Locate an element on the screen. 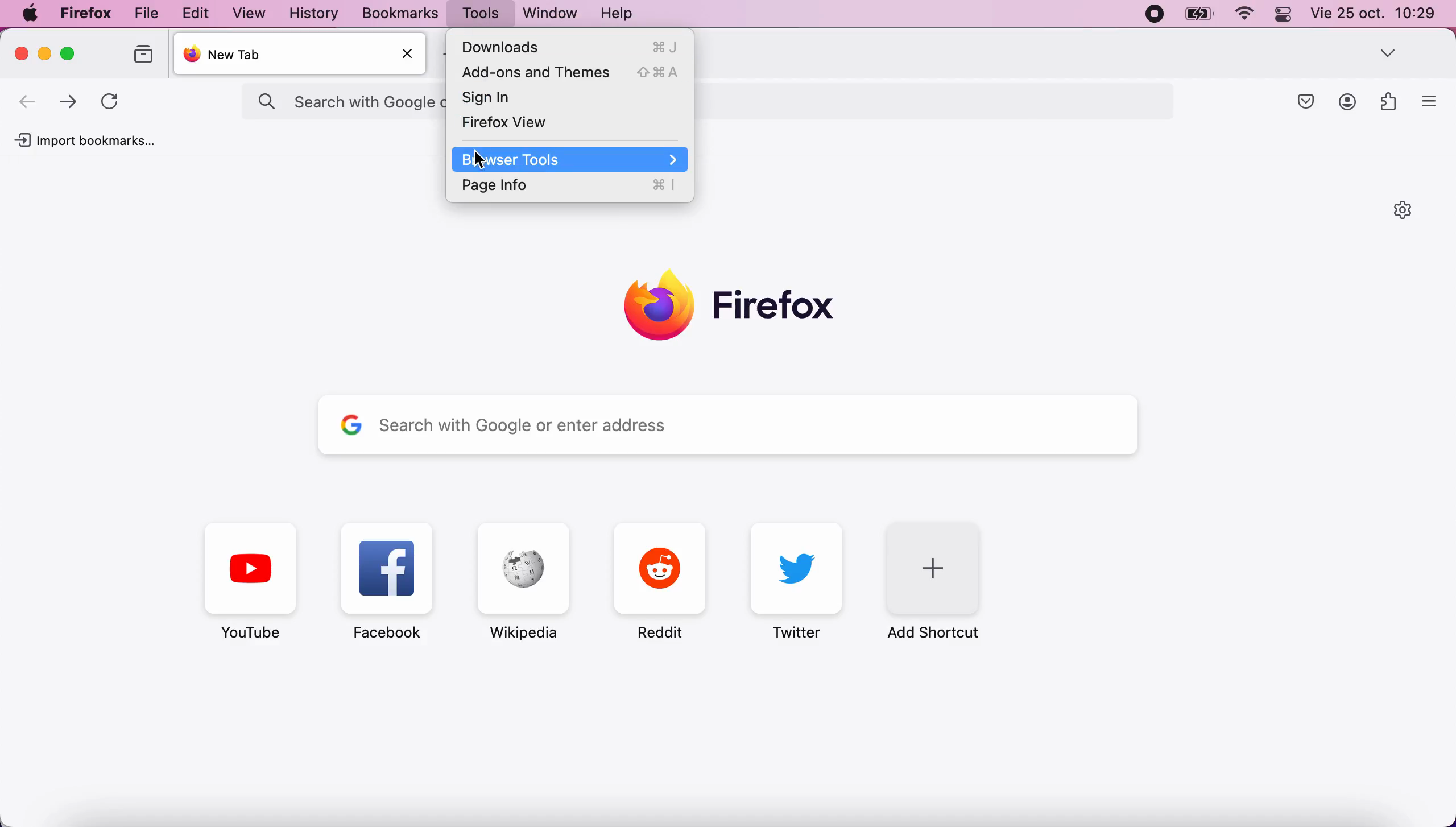 The height and width of the screenshot is (827, 1456). Import Bookmarks is located at coordinates (84, 140).